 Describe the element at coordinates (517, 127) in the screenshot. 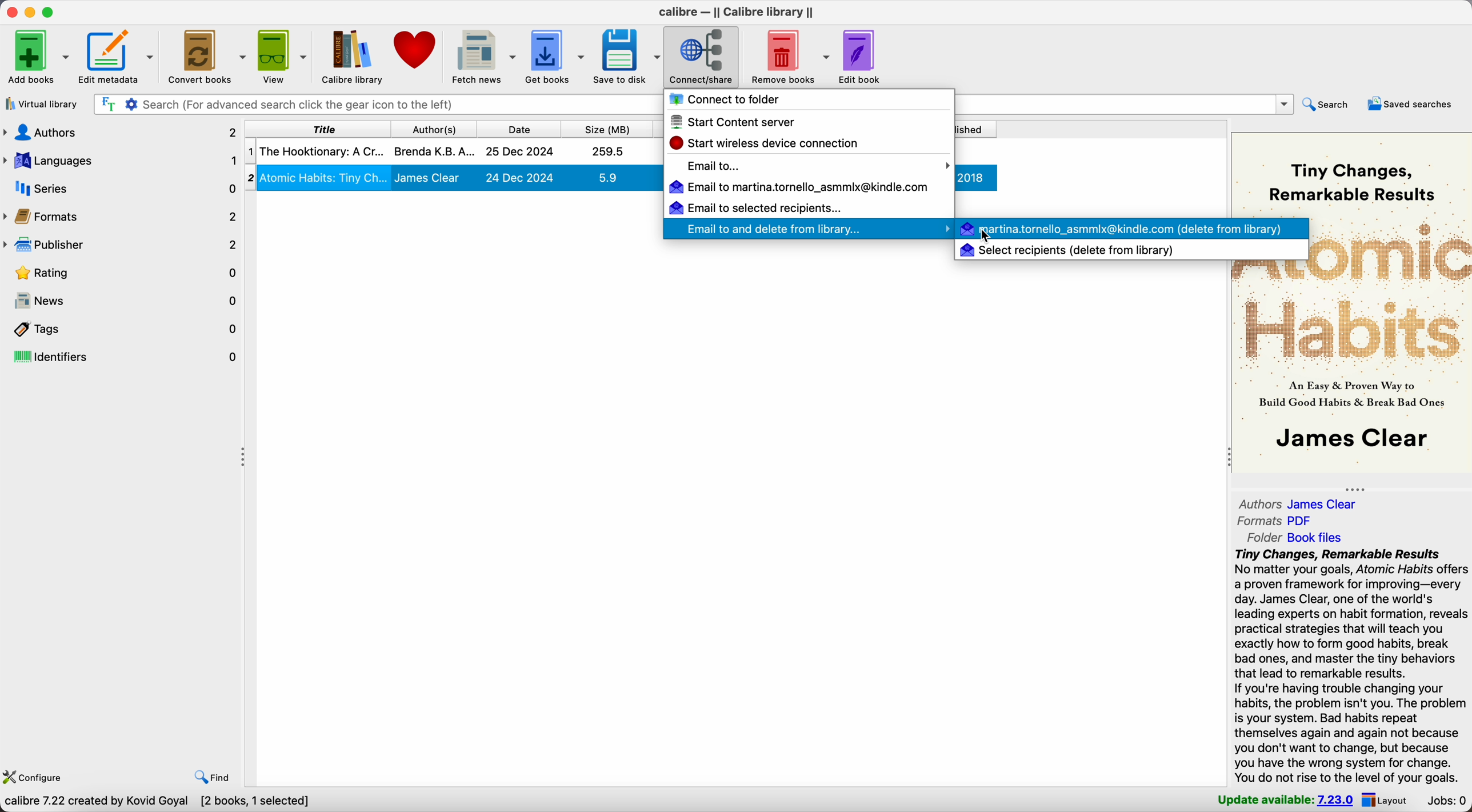

I see `date` at that location.